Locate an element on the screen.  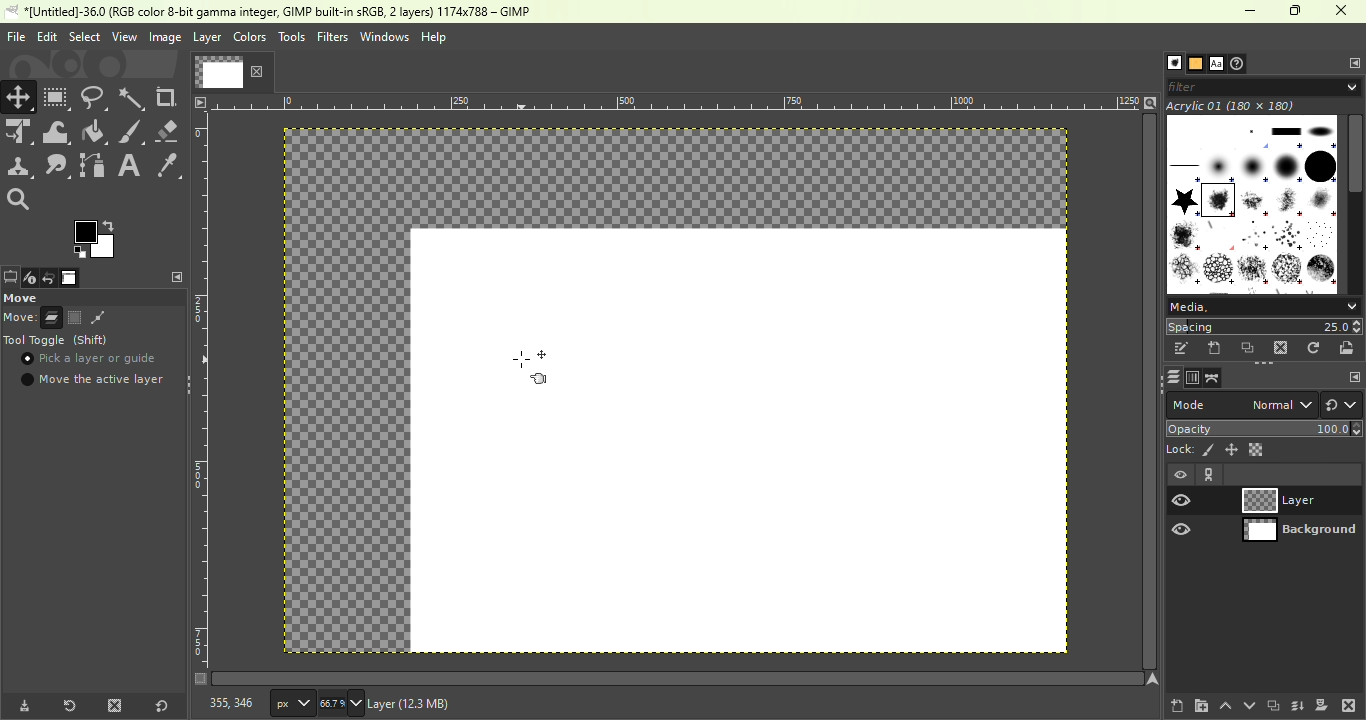
Delete the brushes is located at coordinates (1283, 348).